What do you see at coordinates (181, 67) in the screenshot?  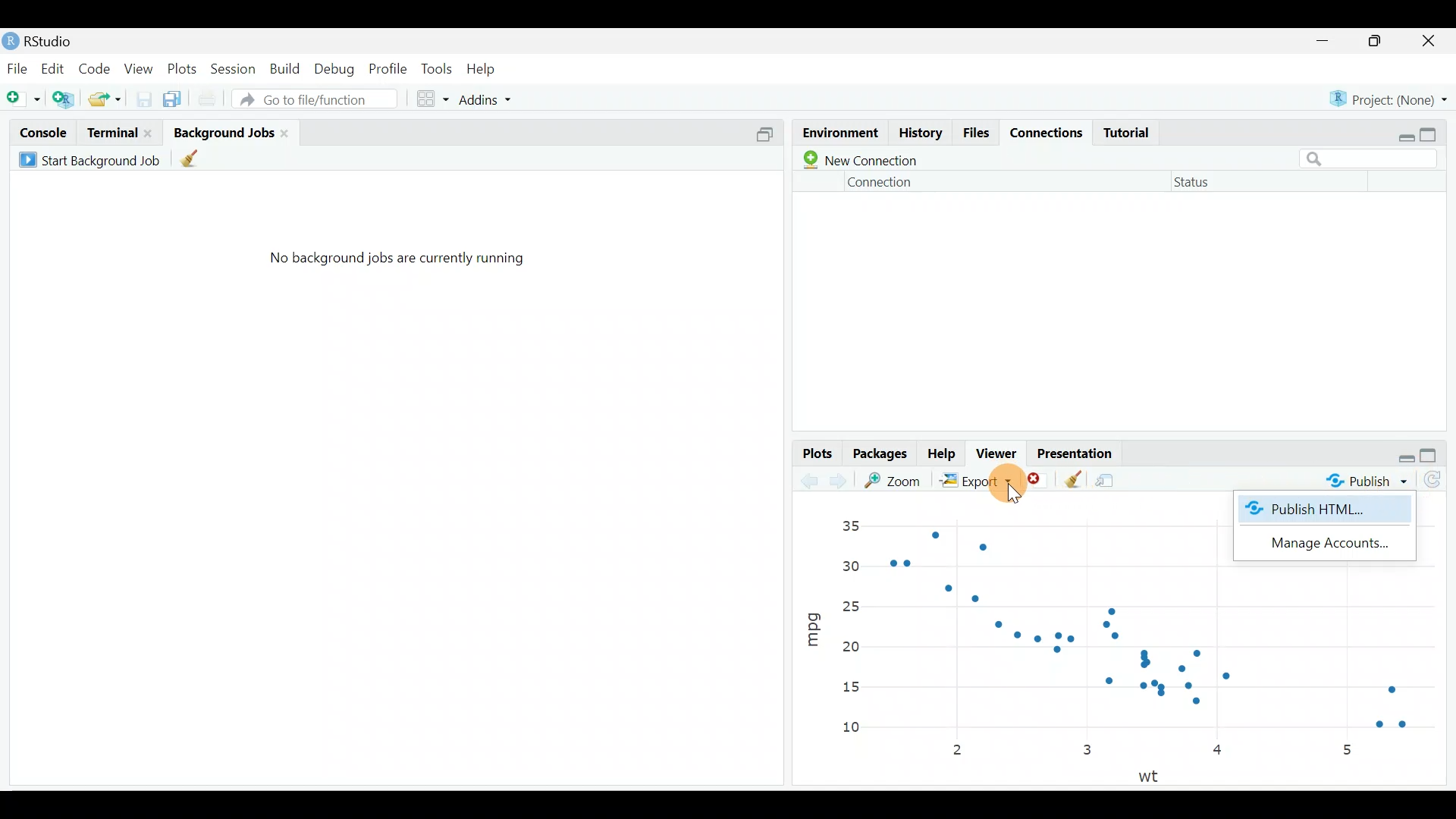 I see `Plots` at bounding box center [181, 67].